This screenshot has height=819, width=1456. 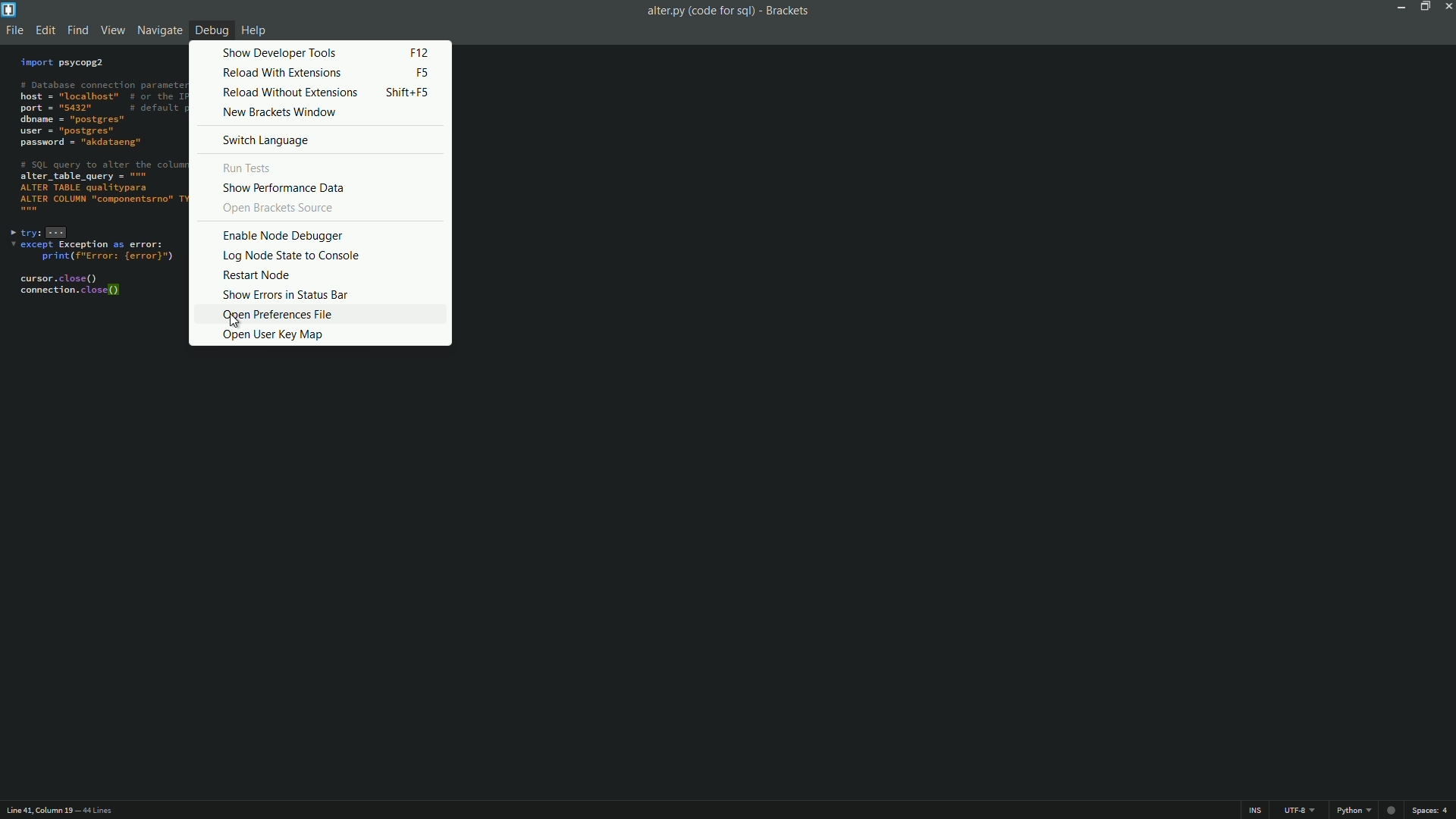 I want to click on error status, so click(x=1390, y=810).